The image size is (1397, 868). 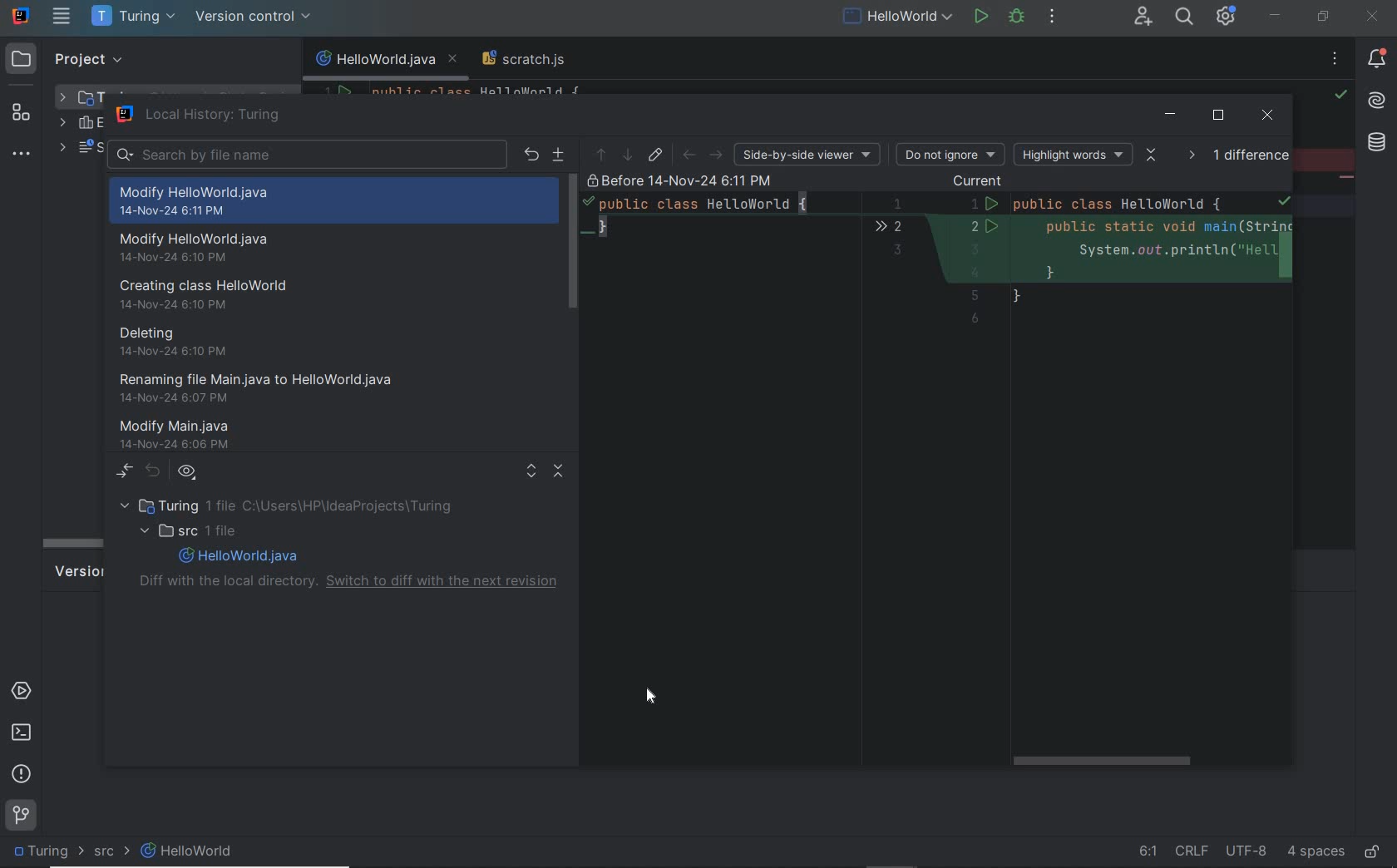 I want to click on external libraries, so click(x=79, y=123).